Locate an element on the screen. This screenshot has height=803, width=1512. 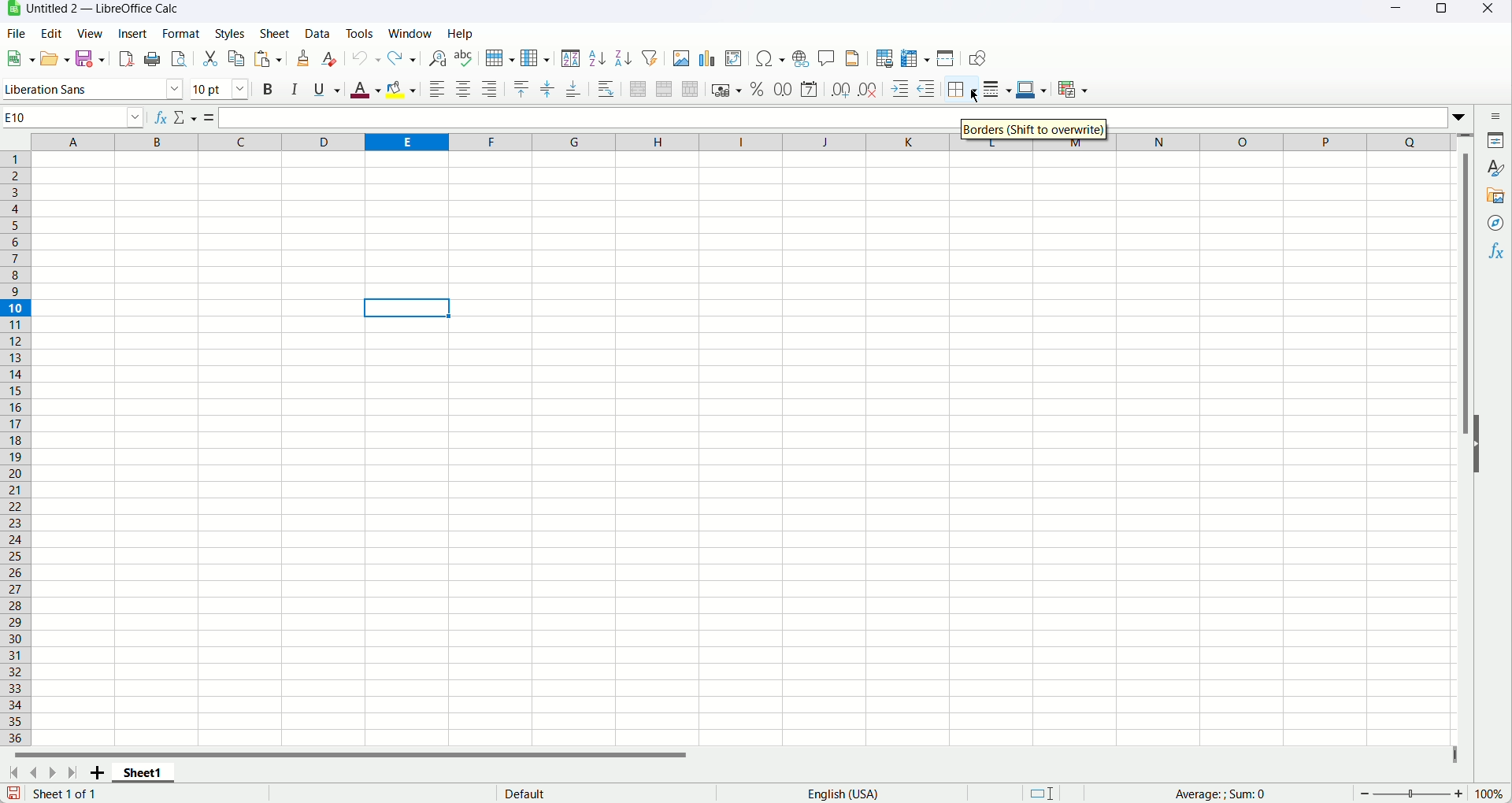
Scroll to last sheet is located at coordinates (76, 773).